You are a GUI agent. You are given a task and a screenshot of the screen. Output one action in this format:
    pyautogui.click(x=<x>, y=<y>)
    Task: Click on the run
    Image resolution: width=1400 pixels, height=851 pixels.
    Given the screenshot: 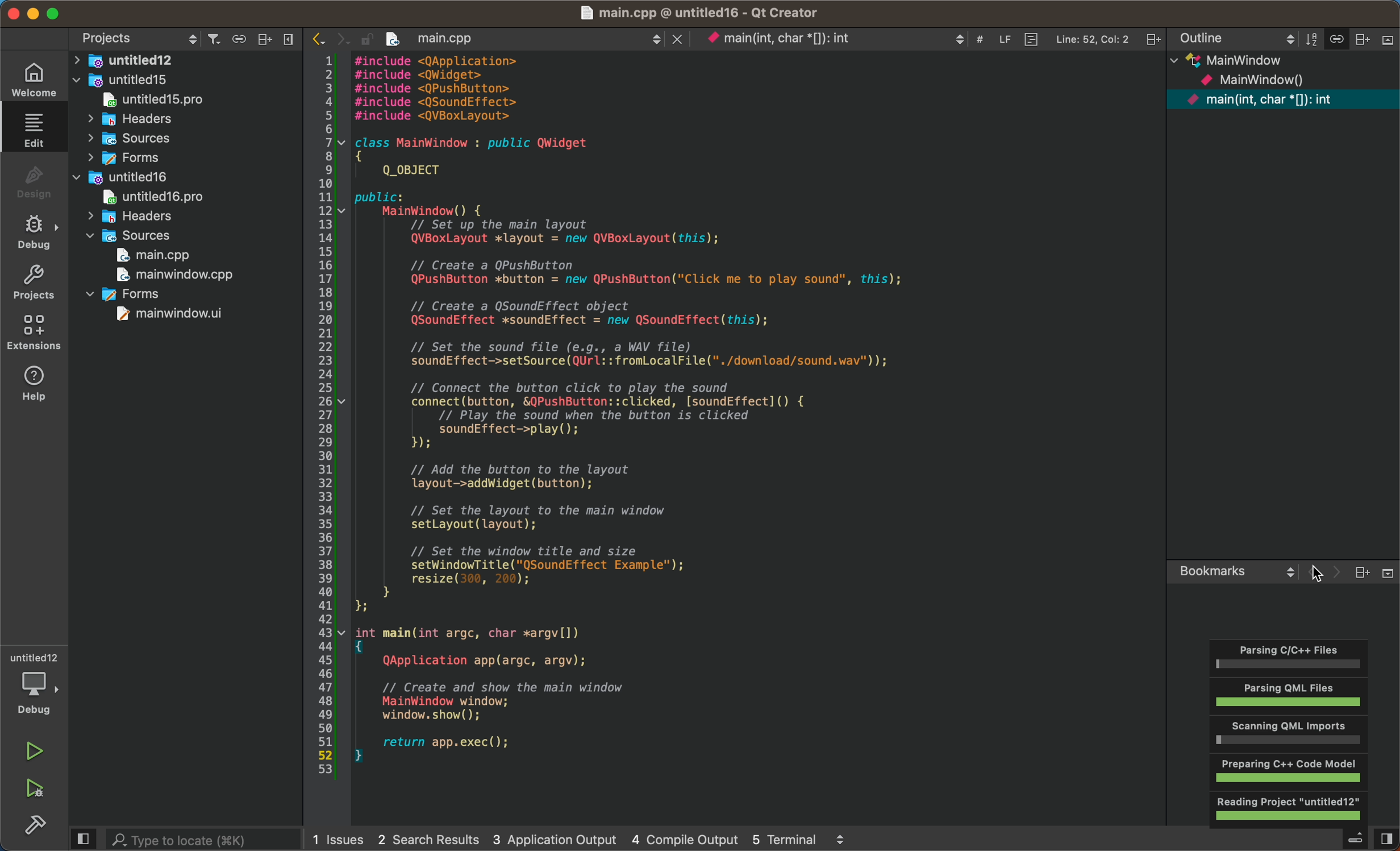 What is the action you would take?
    pyautogui.click(x=36, y=752)
    